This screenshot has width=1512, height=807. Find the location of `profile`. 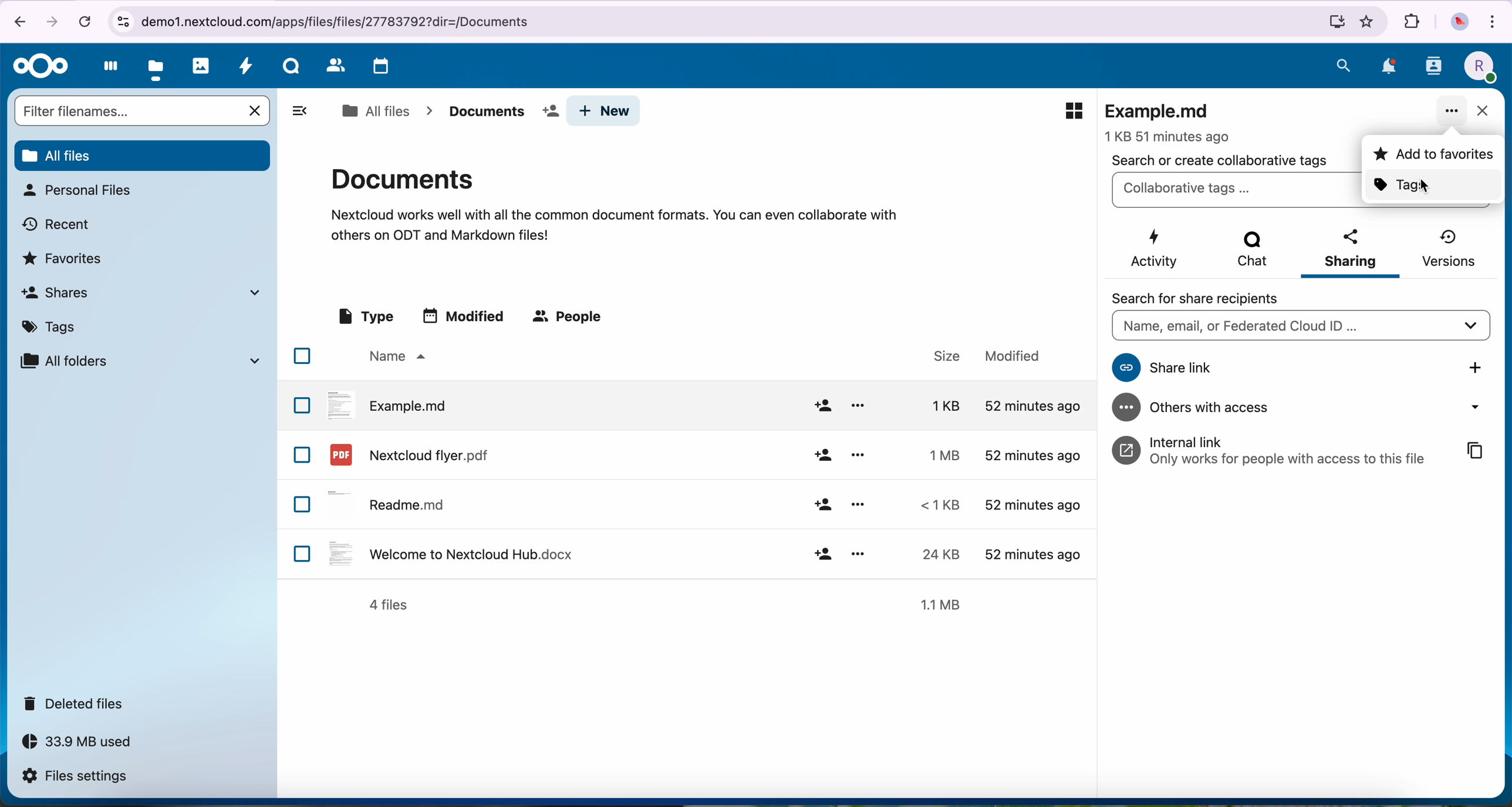

profile is located at coordinates (1478, 67).